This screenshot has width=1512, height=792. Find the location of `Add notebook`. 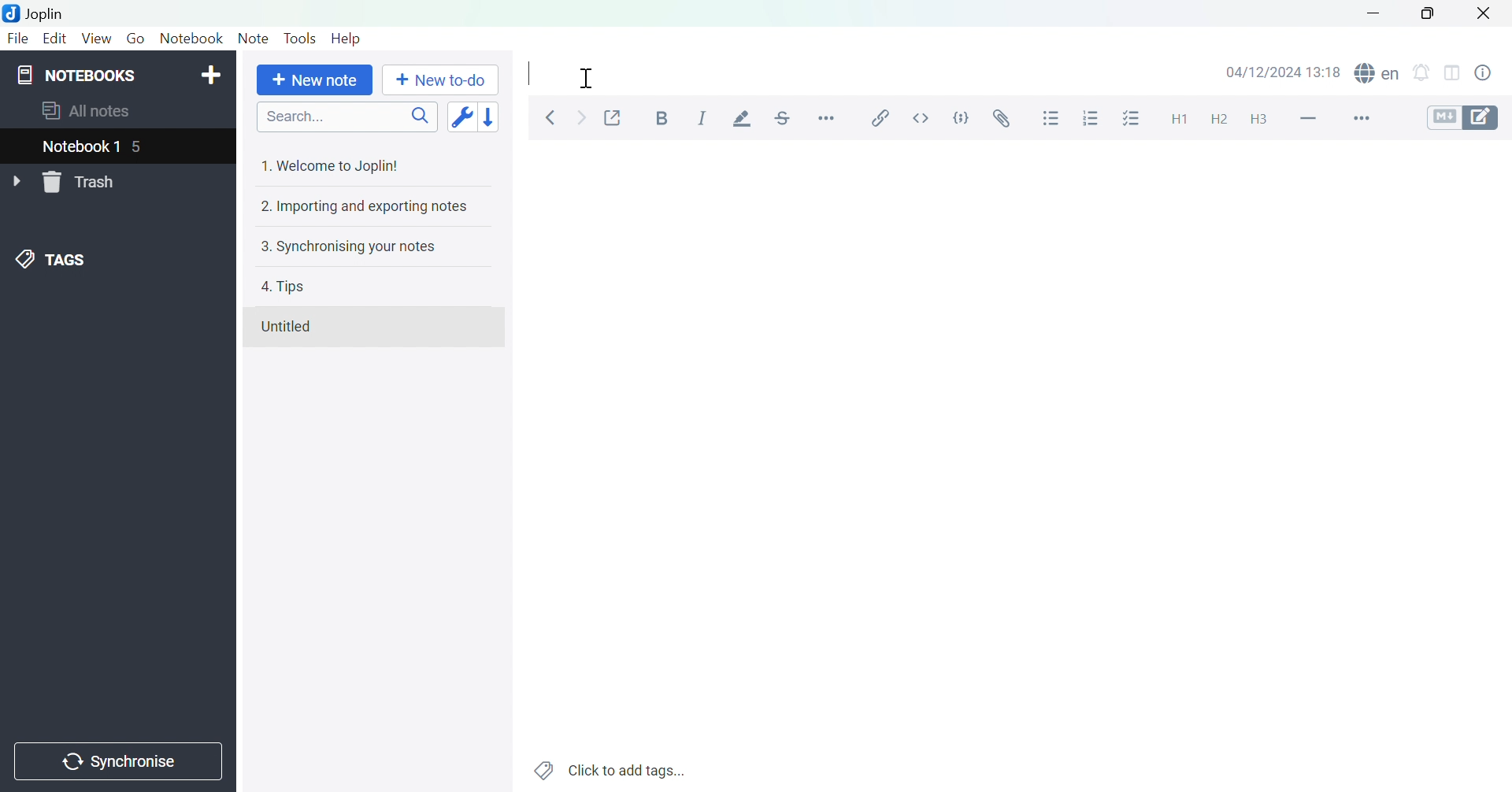

Add notebook is located at coordinates (212, 75).